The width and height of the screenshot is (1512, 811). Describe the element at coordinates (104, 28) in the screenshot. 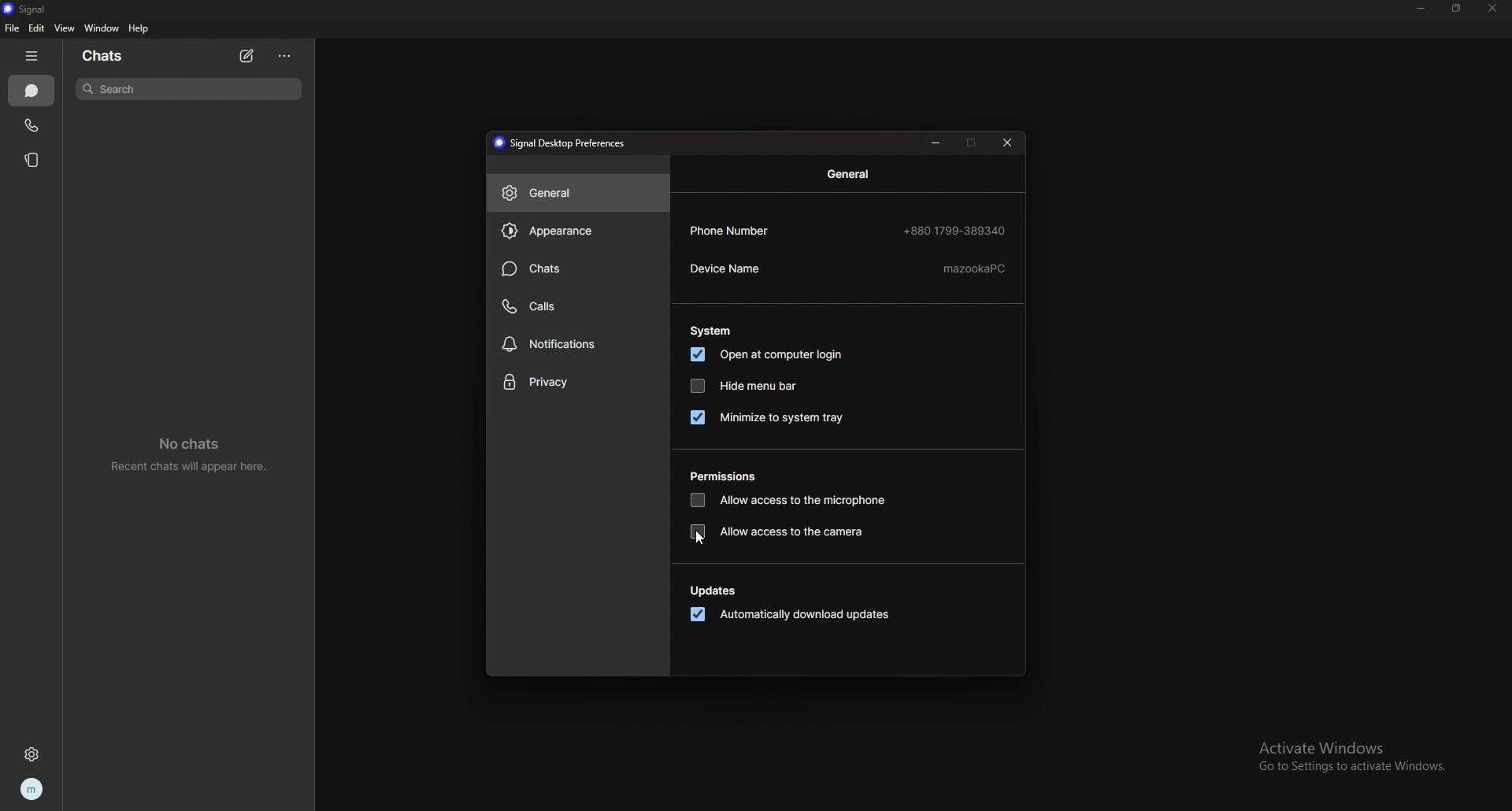

I see `window` at that location.